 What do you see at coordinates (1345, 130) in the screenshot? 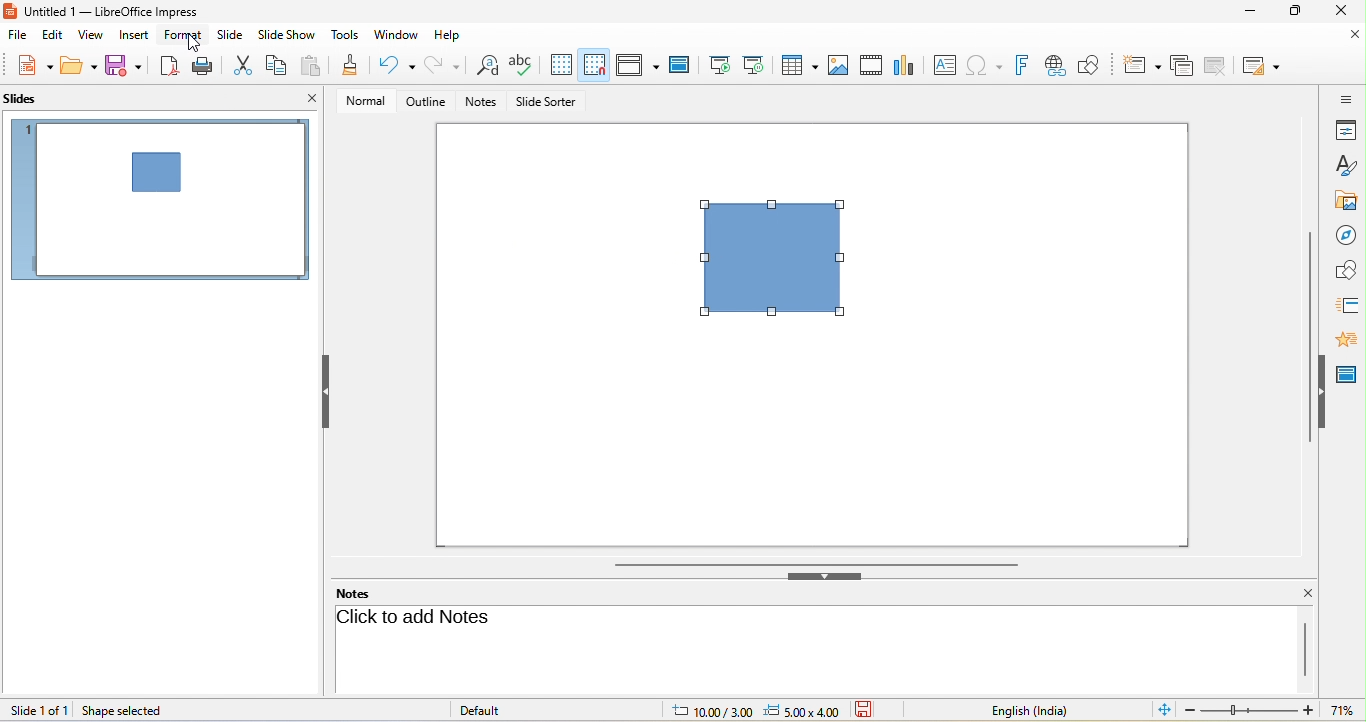
I see `properties` at bounding box center [1345, 130].